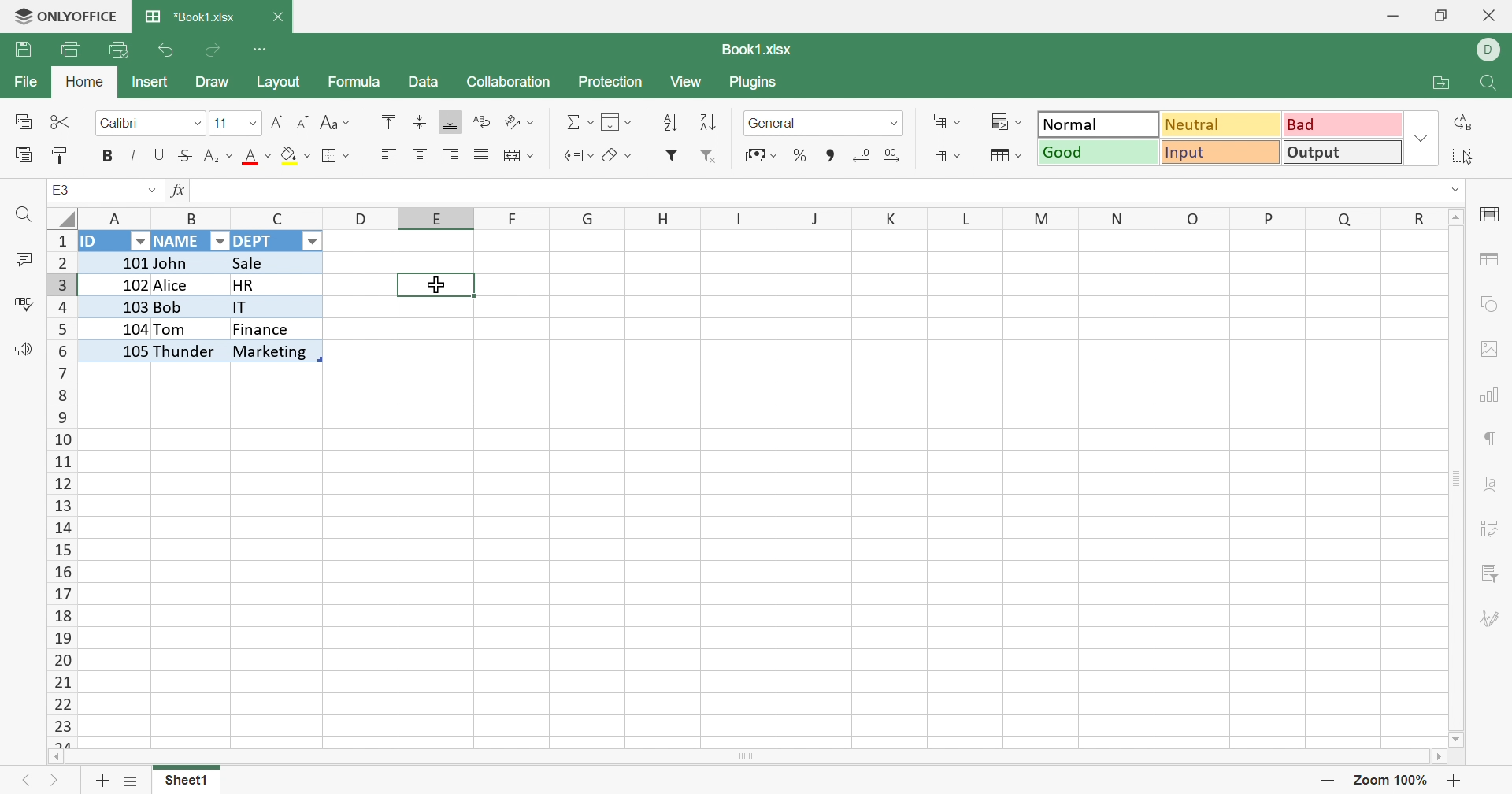 This screenshot has width=1512, height=794. I want to click on Collaboration, so click(511, 83).